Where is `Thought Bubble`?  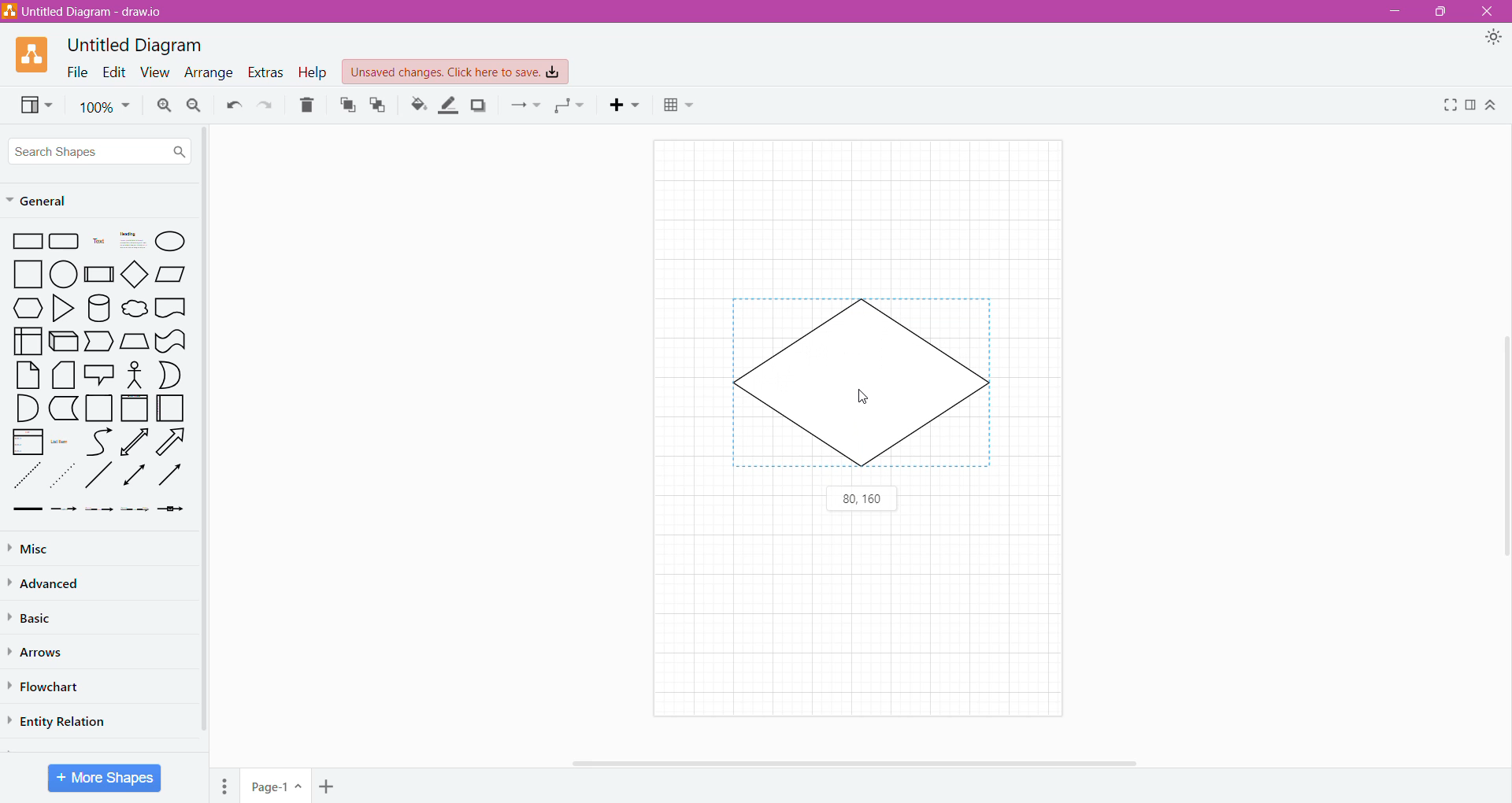
Thought Bubble is located at coordinates (134, 310).